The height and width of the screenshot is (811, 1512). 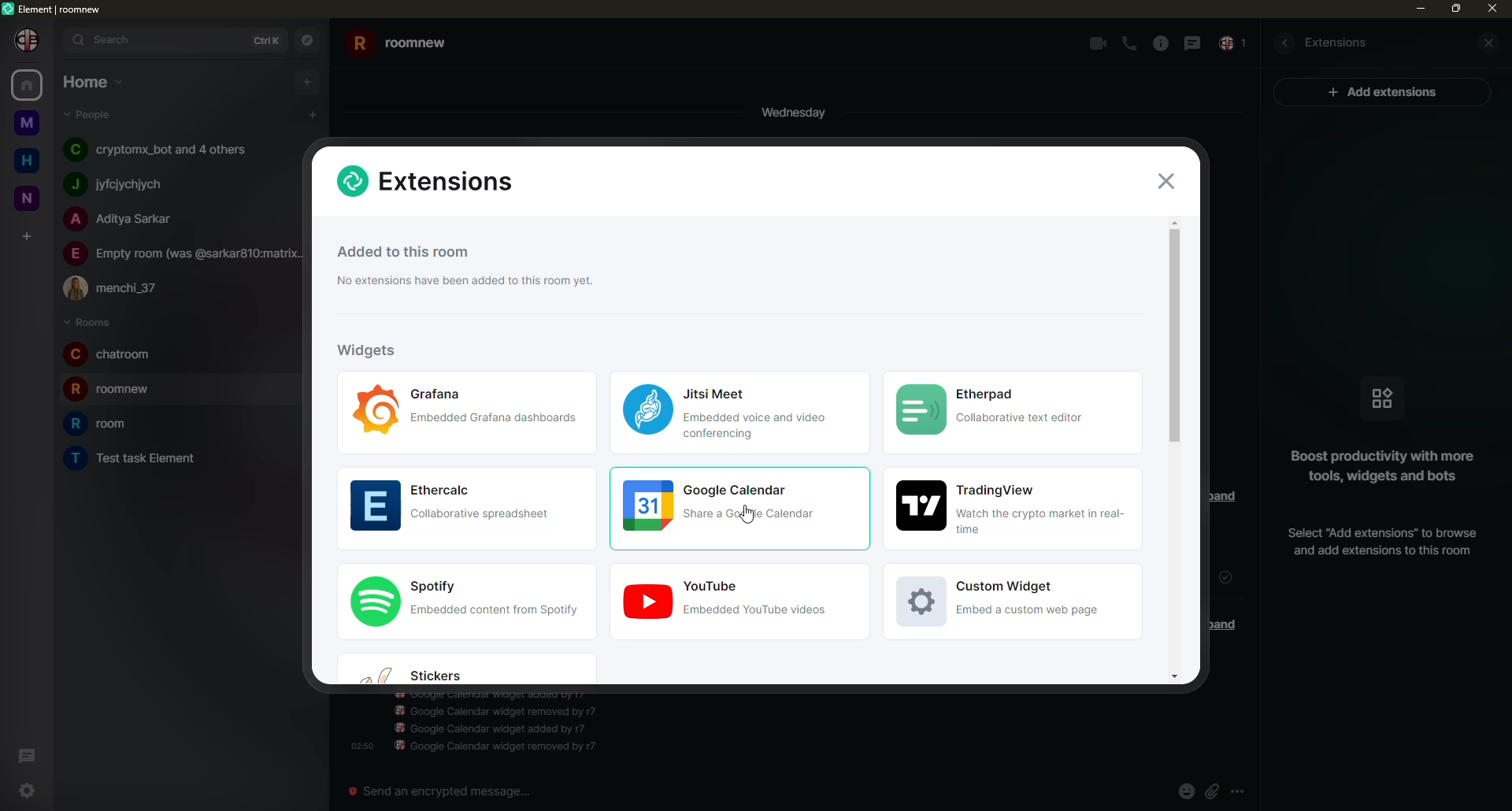 What do you see at coordinates (118, 287) in the screenshot?
I see `people` at bounding box center [118, 287].